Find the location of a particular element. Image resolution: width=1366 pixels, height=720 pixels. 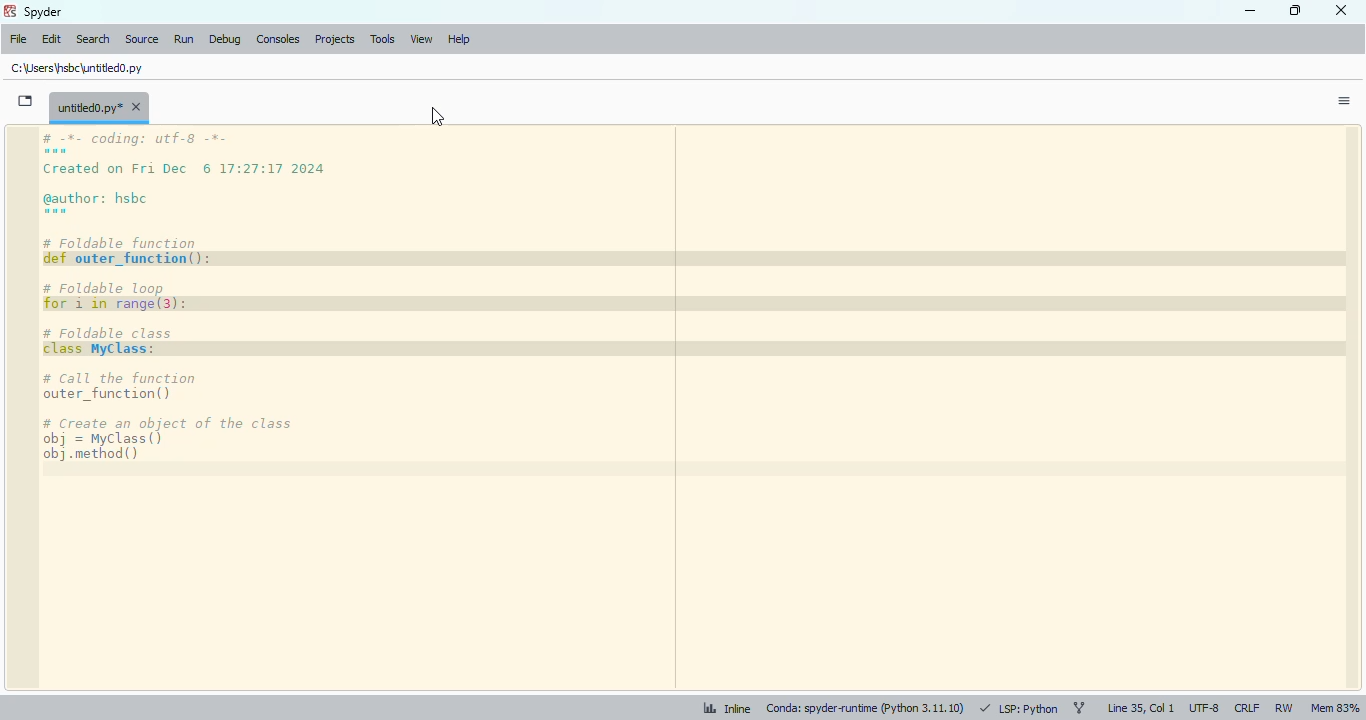

UTF-8 is located at coordinates (1205, 710).